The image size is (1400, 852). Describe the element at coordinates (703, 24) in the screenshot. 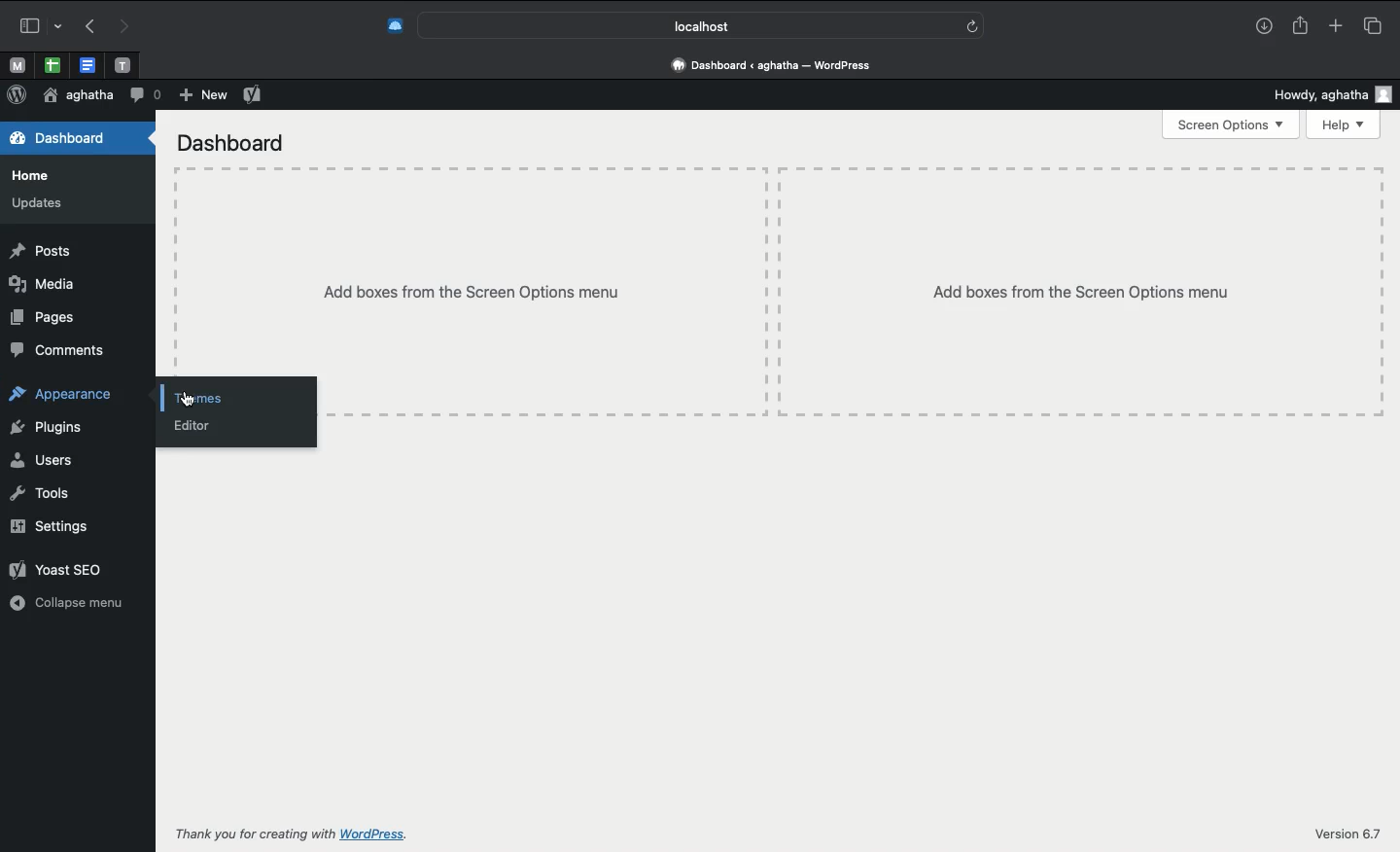

I see `Search bar` at that location.